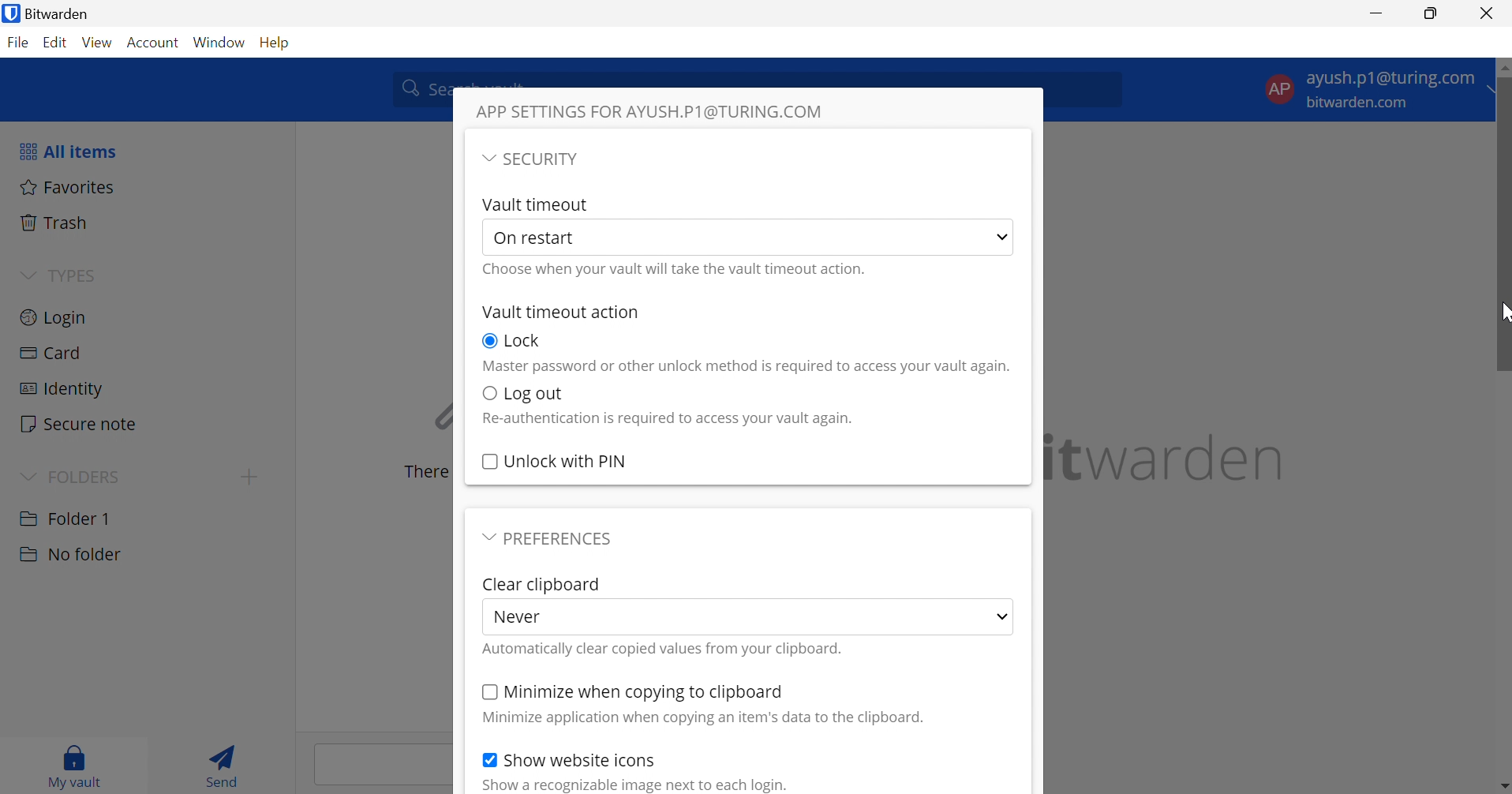 Image resolution: width=1512 pixels, height=794 pixels. What do you see at coordinates (487, 158) in the screenshot?
I see `Drop Down` at bounding box center [487, 158].